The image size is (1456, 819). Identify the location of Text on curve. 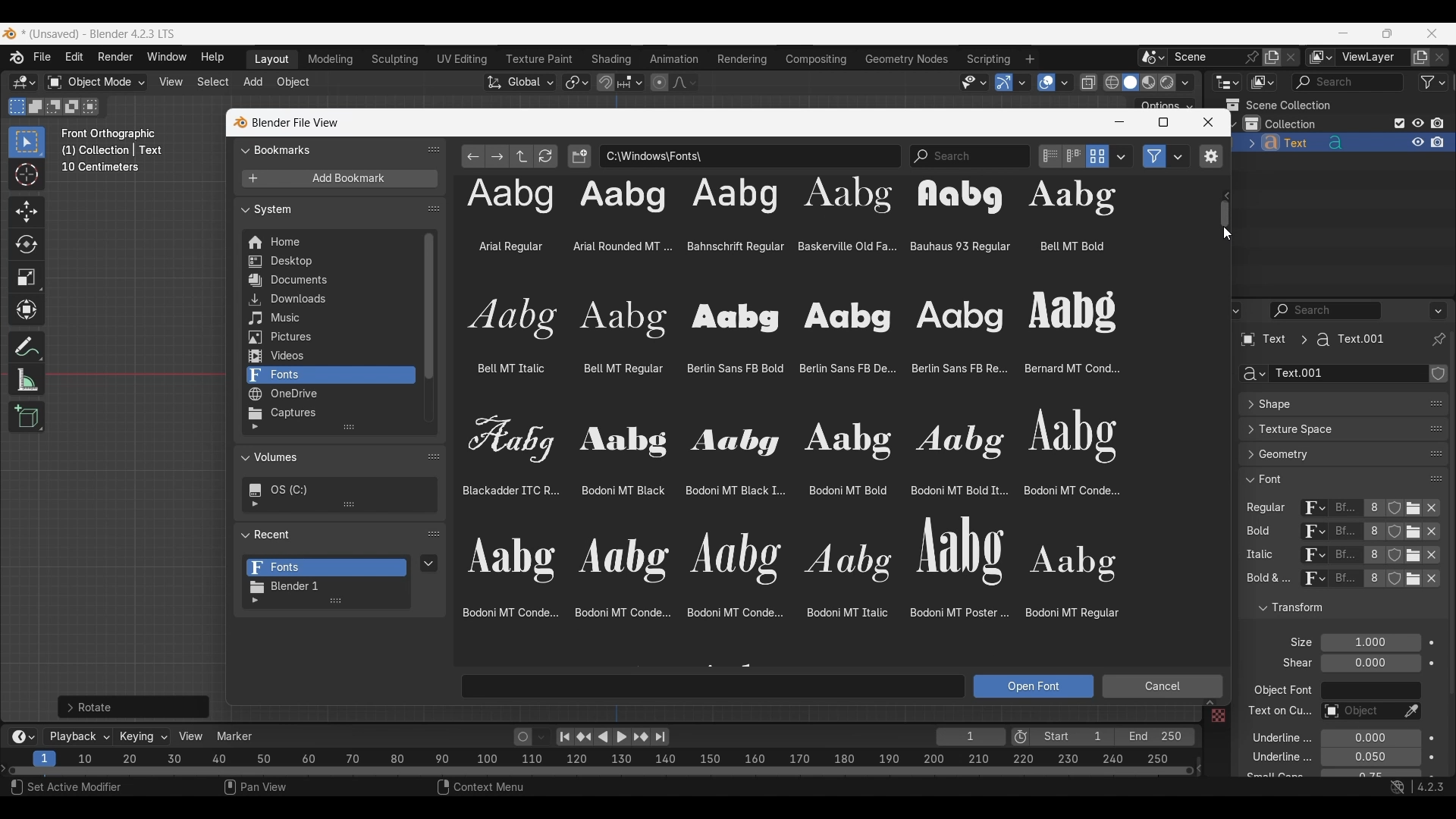
(1359, 712).